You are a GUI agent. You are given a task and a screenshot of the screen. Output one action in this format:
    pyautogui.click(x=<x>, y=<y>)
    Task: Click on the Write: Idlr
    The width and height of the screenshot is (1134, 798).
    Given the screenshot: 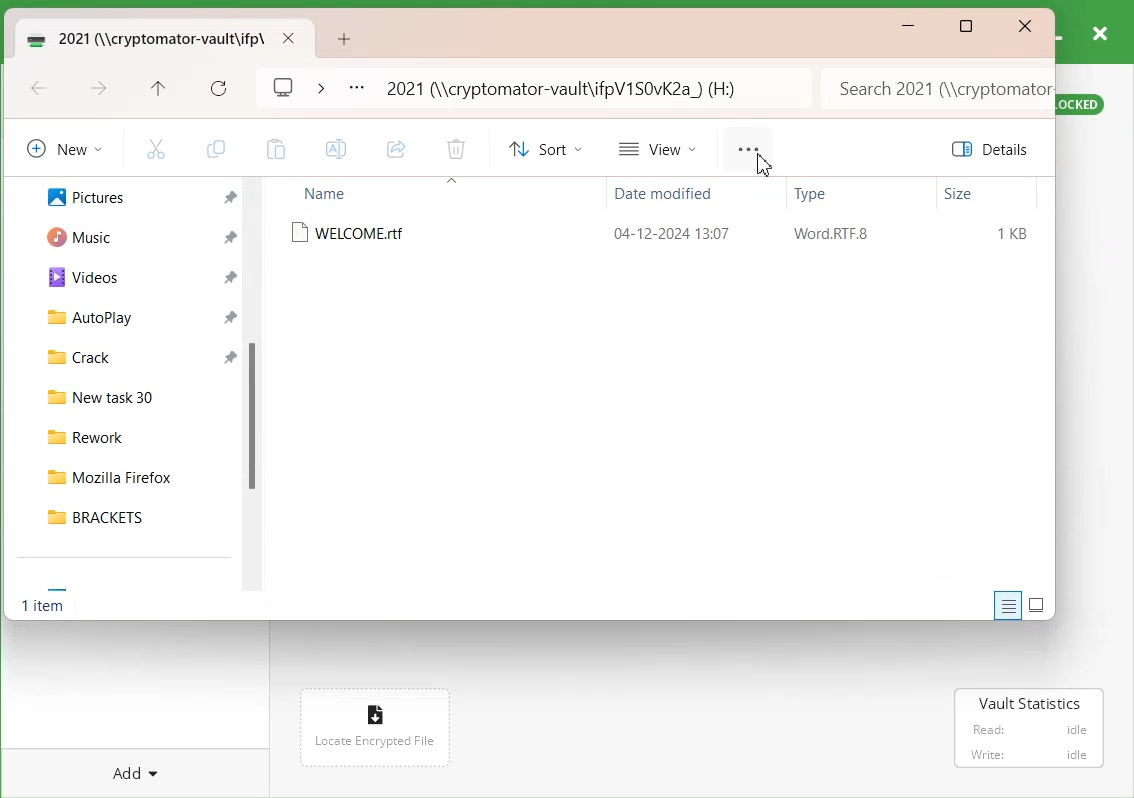 What is the action you would take?
    pyautogui.click(x=1034, y=754)
    